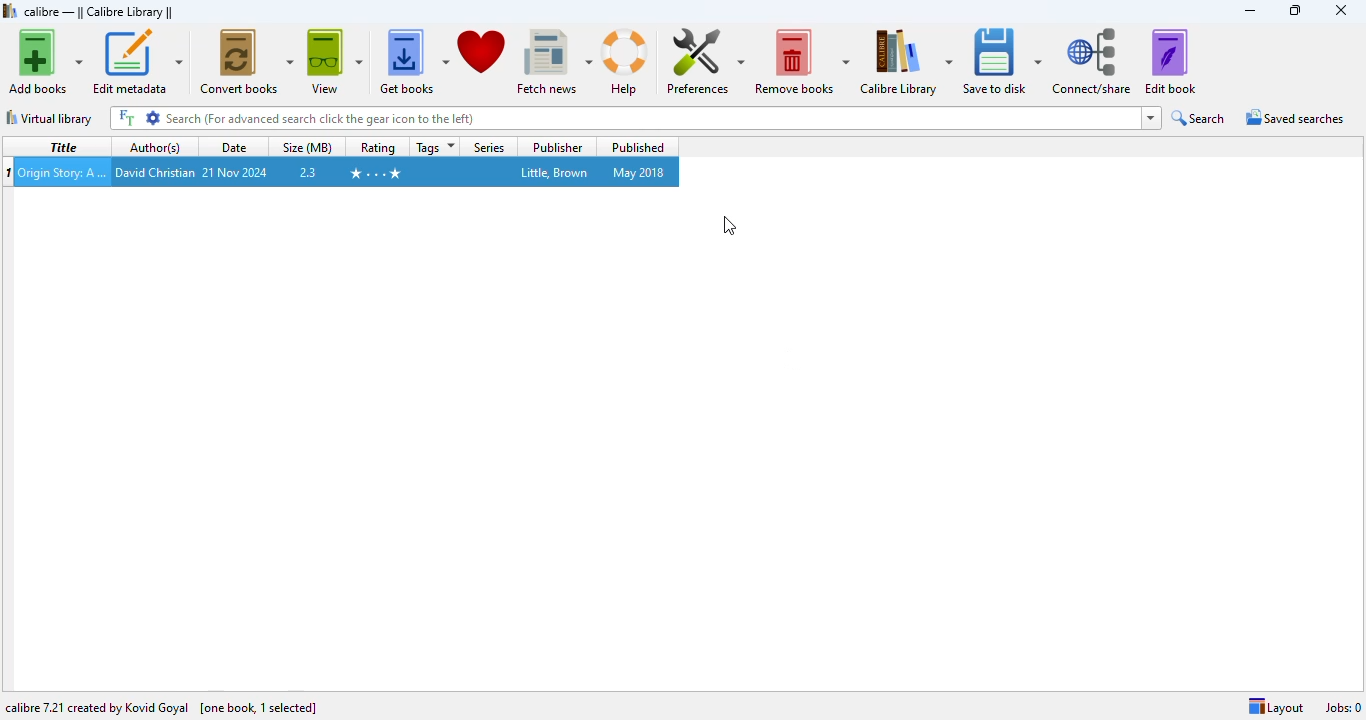  I want to click on index number, so click(9, 172).